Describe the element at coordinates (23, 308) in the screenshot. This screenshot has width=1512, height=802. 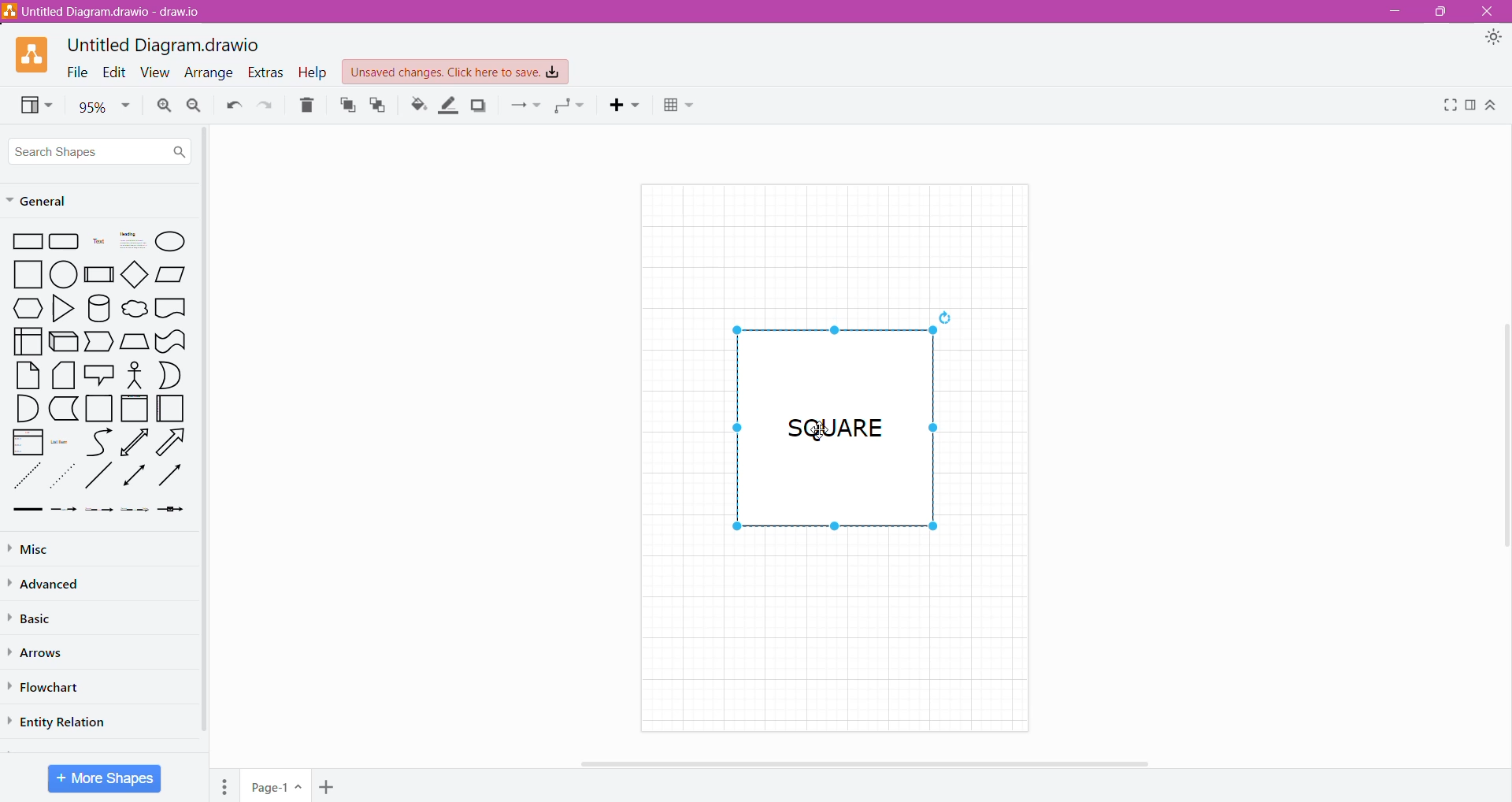
I see `Preparation` at that location.